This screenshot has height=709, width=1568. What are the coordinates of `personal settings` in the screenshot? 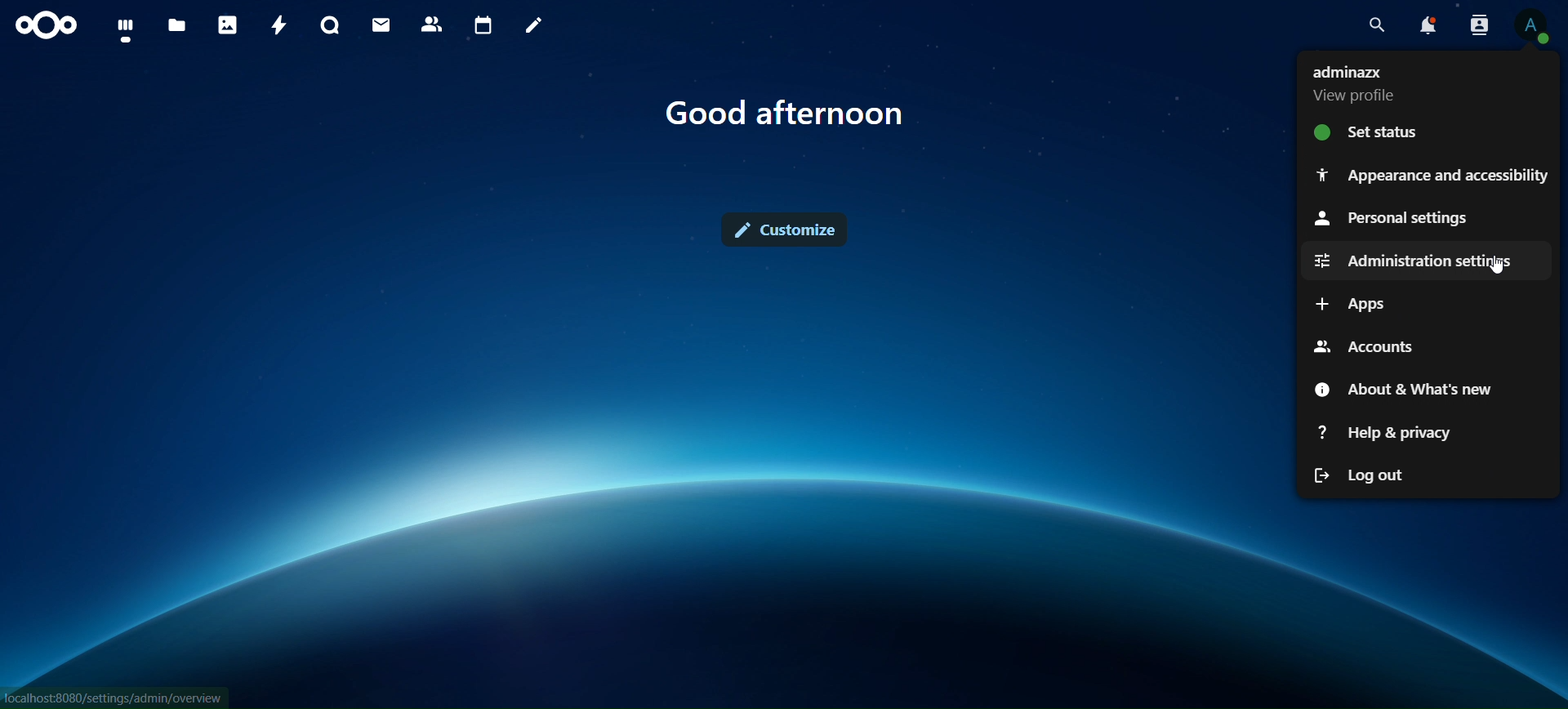 It's located at (1392, 216).